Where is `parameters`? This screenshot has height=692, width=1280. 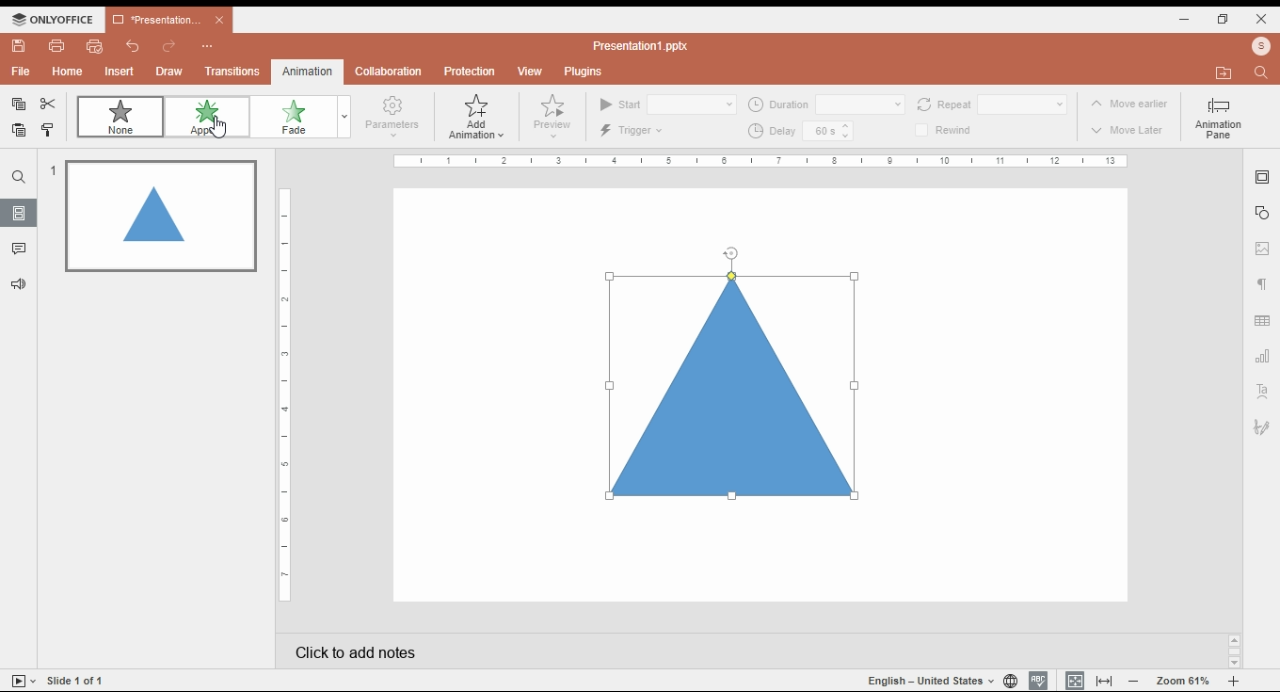 parameters is located at coordinates (396, 118).